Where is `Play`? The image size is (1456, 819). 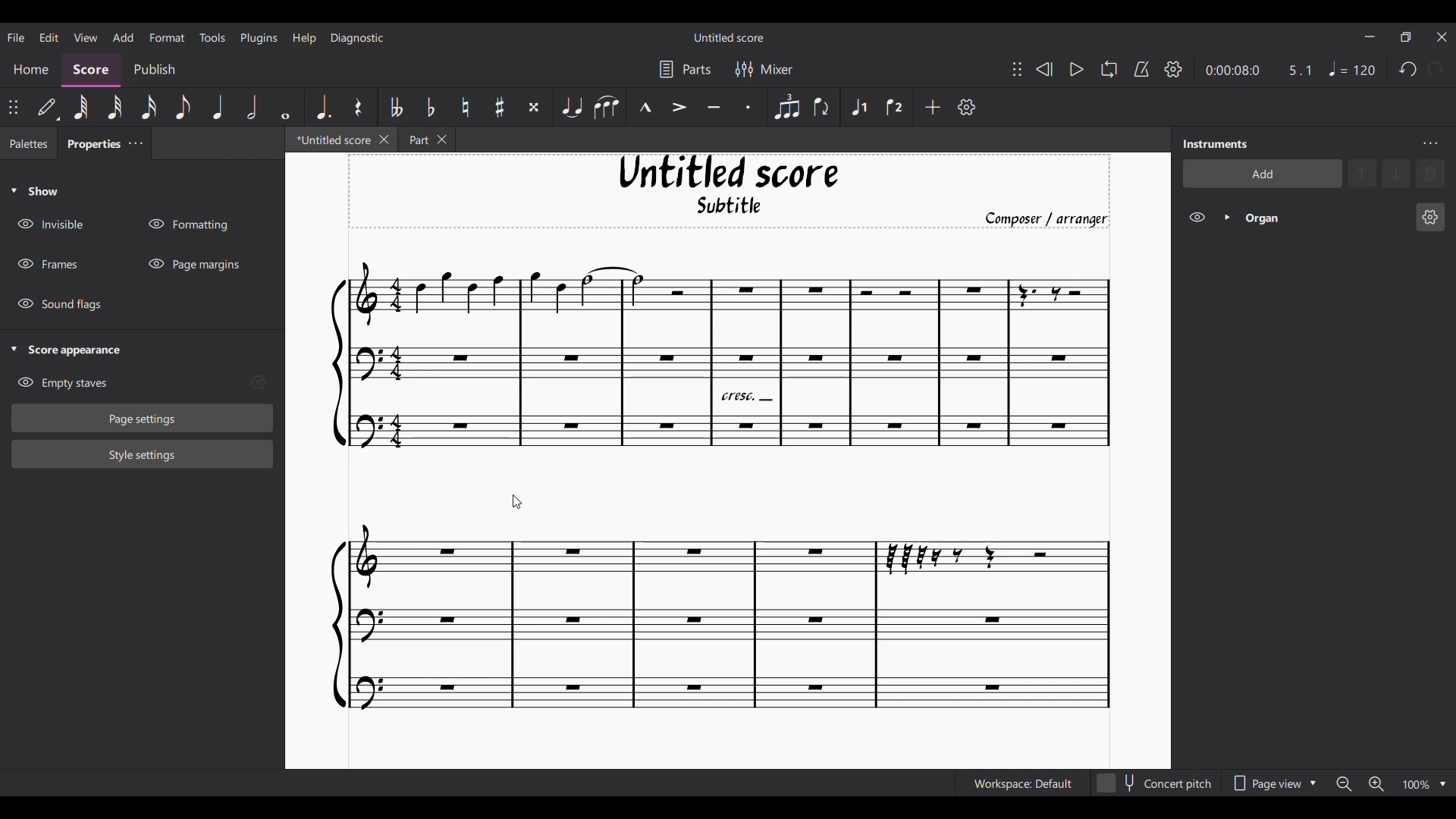
Play is located at coordinates (1076, 70).